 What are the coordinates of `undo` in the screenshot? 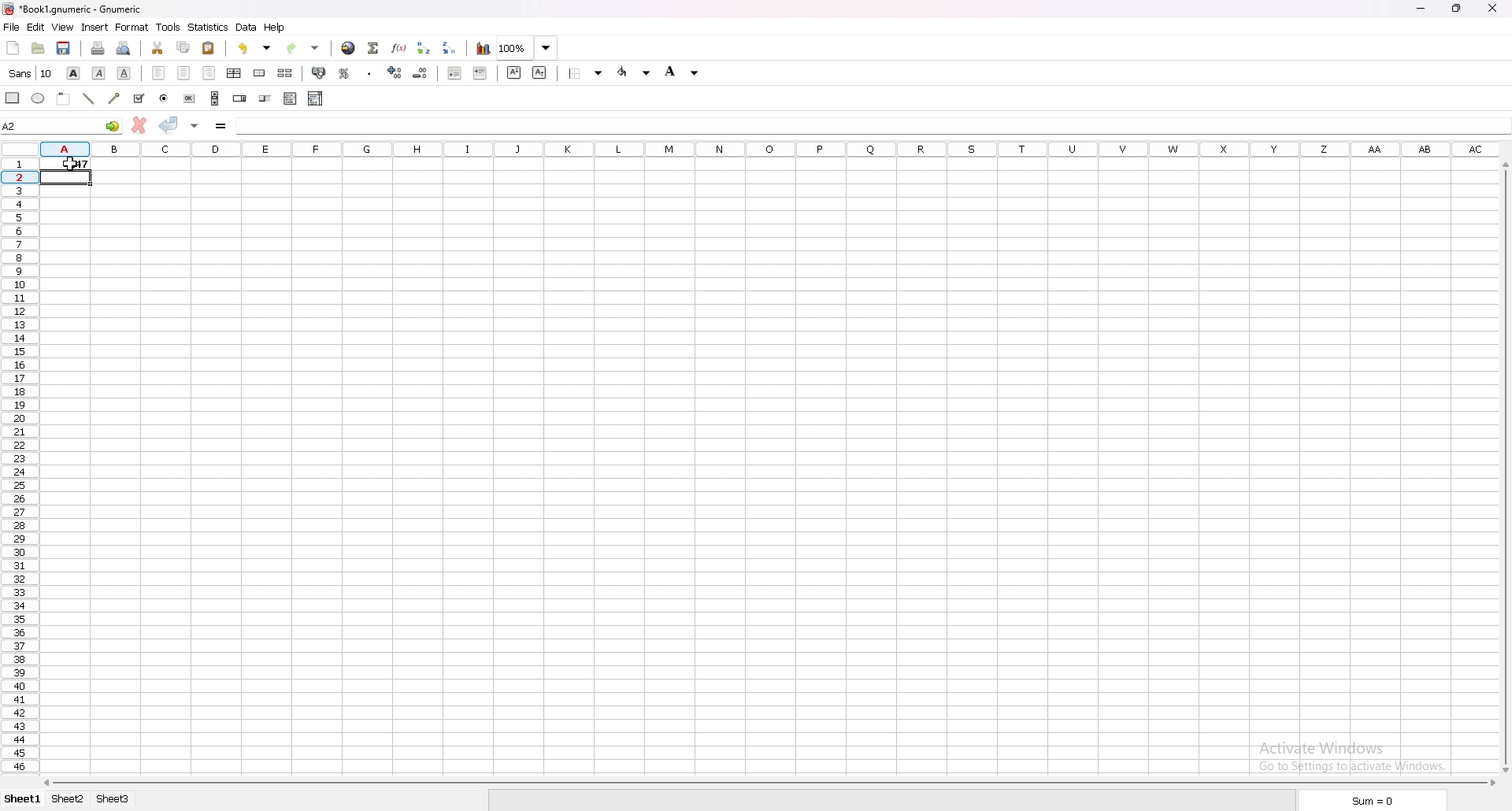 It's located at (257, 48).